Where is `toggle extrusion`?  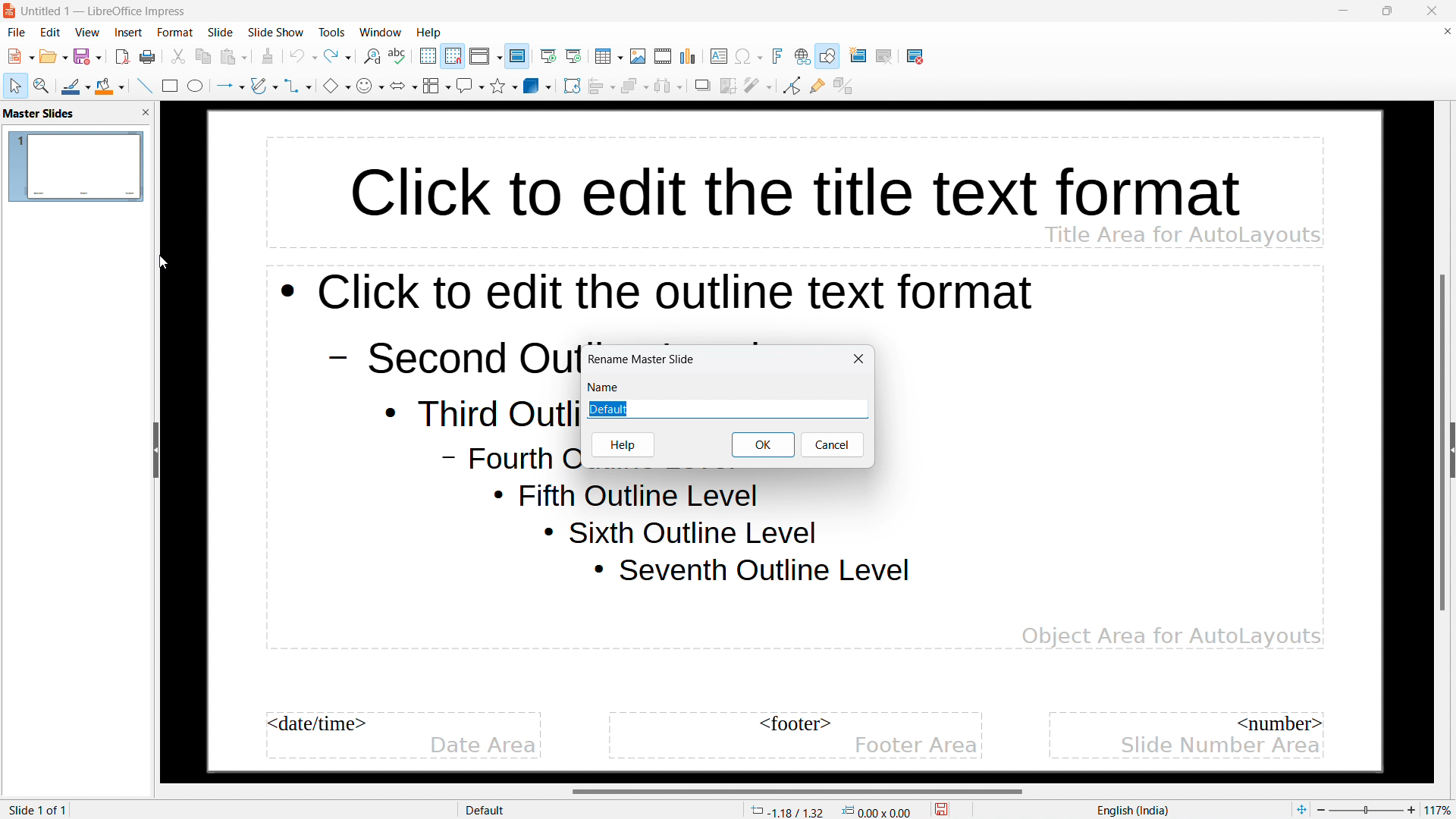 toggle extrusion is located at coordinates (843, 86).